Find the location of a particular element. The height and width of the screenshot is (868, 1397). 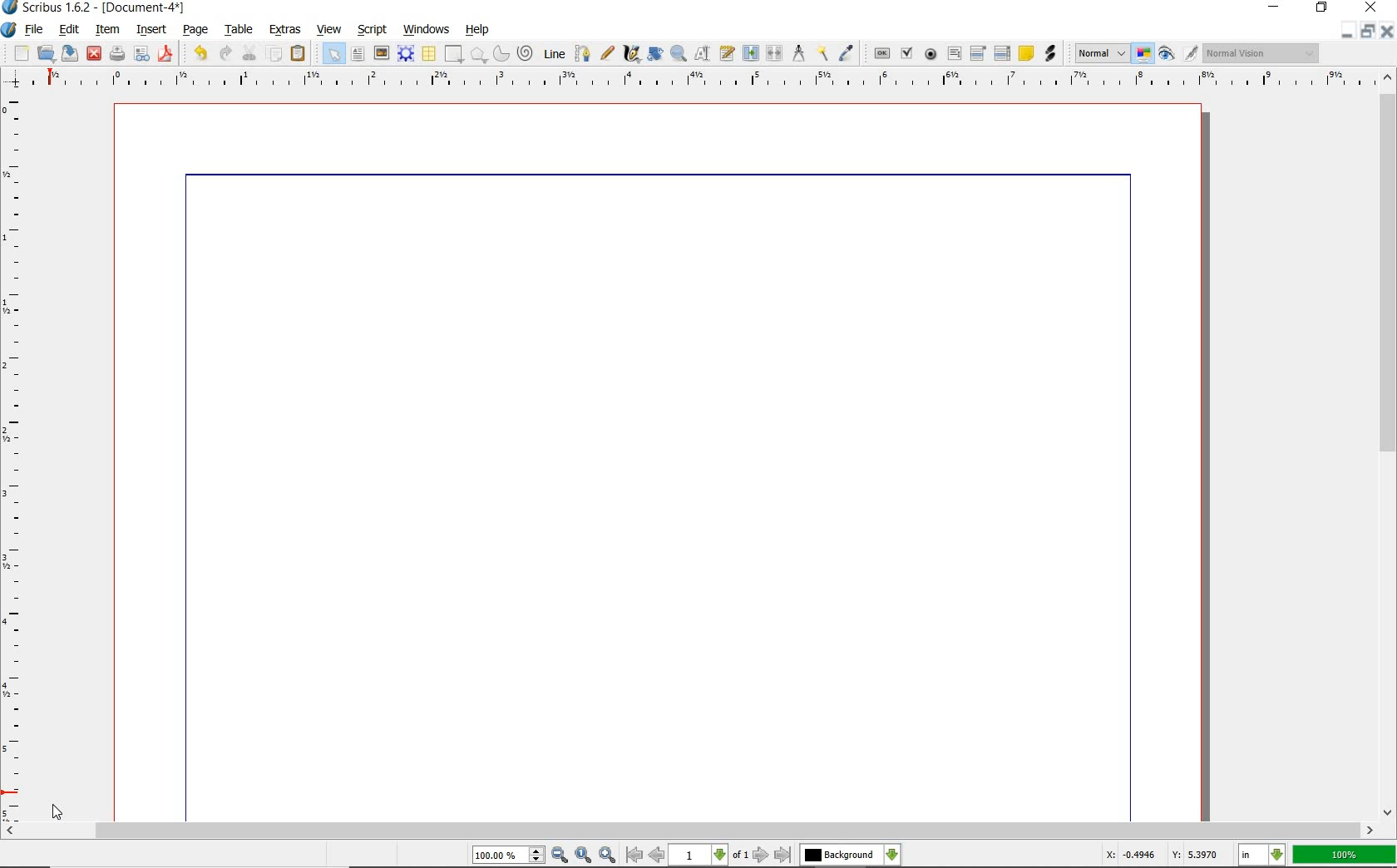

save as pdf is located at coordinates (164, 53).